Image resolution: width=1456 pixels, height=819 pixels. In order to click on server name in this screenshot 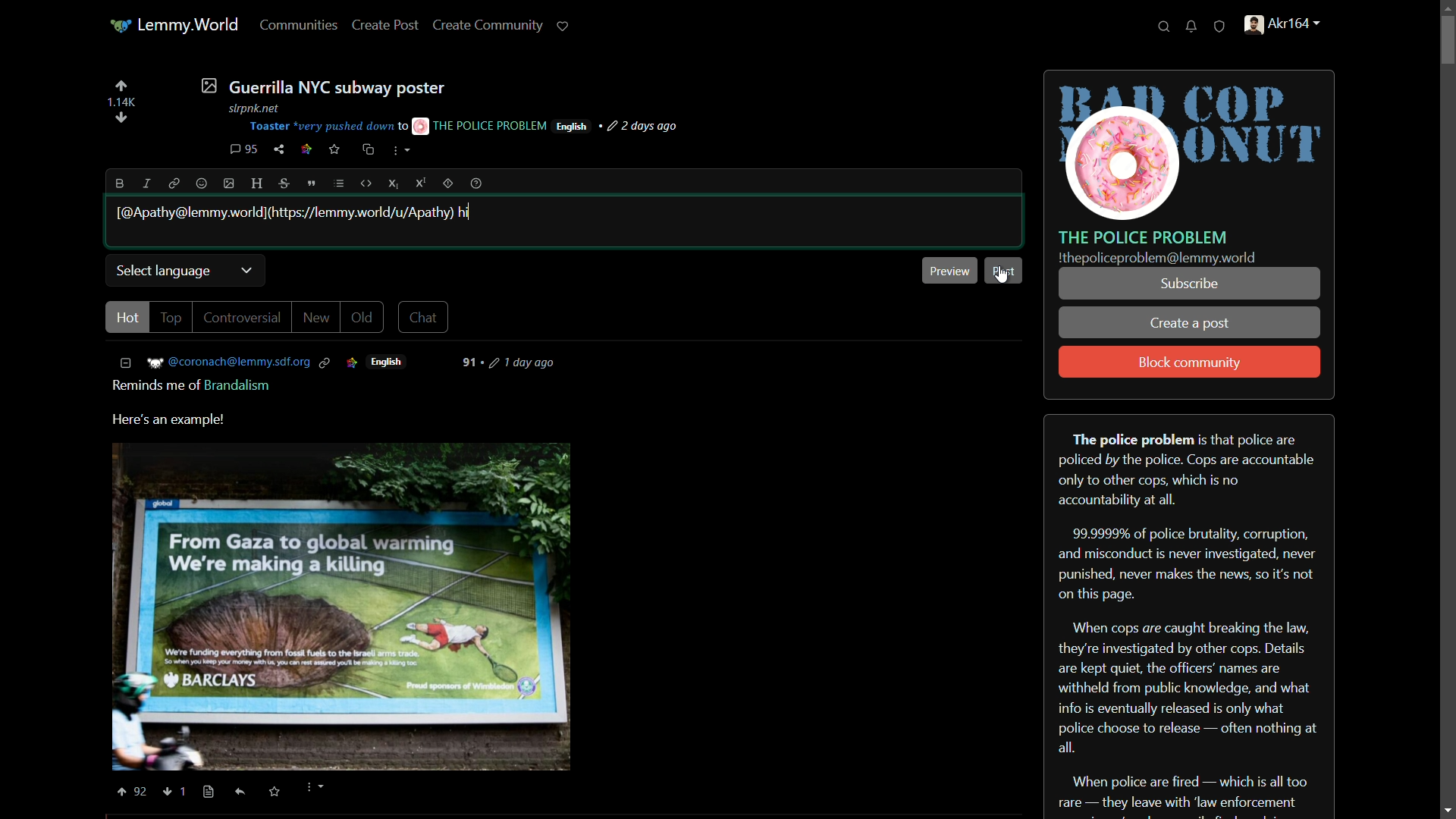, I will do `click(1144, 237)`.